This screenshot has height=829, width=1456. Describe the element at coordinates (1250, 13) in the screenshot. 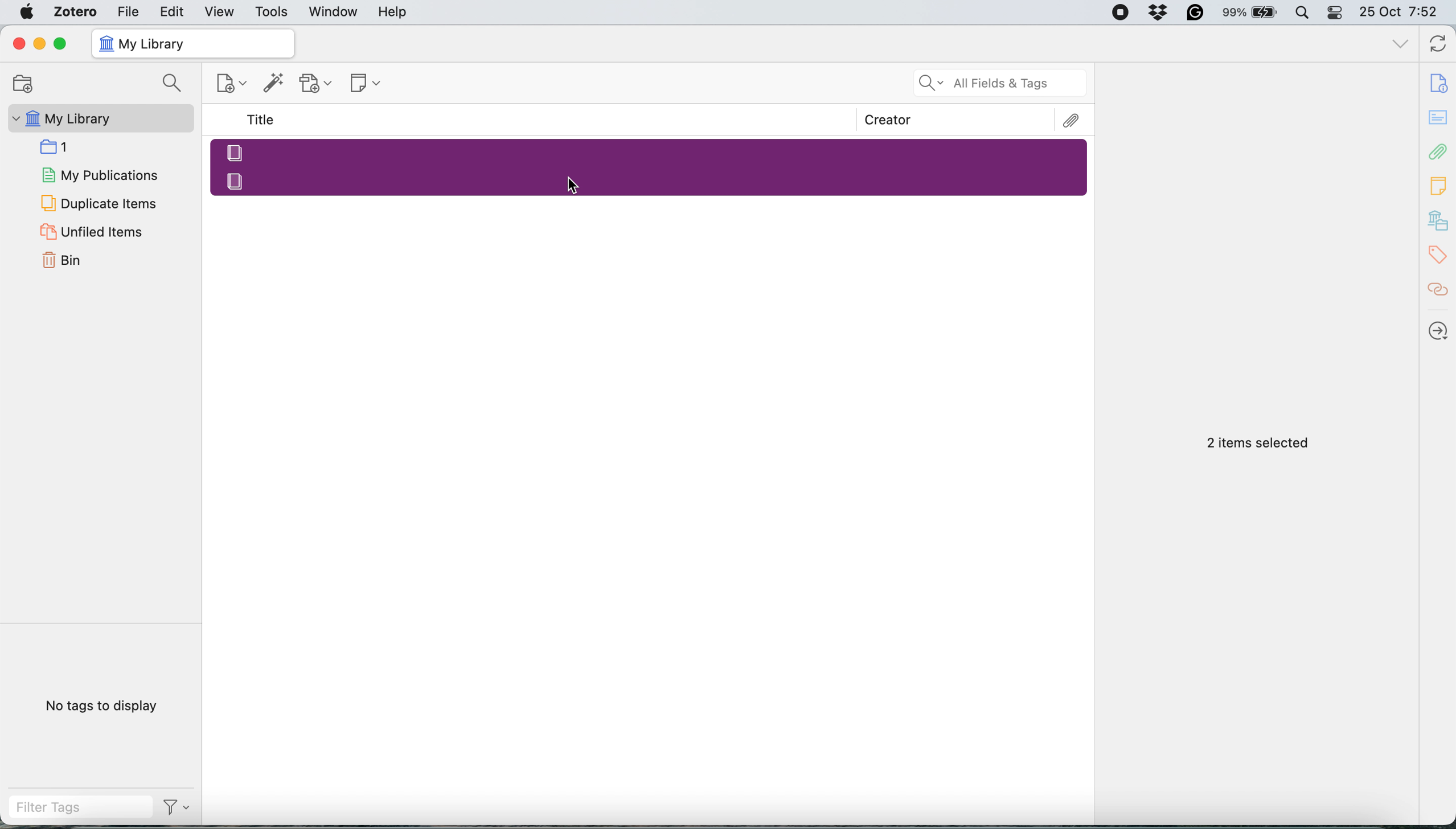

I see `99% Battery` at that location.